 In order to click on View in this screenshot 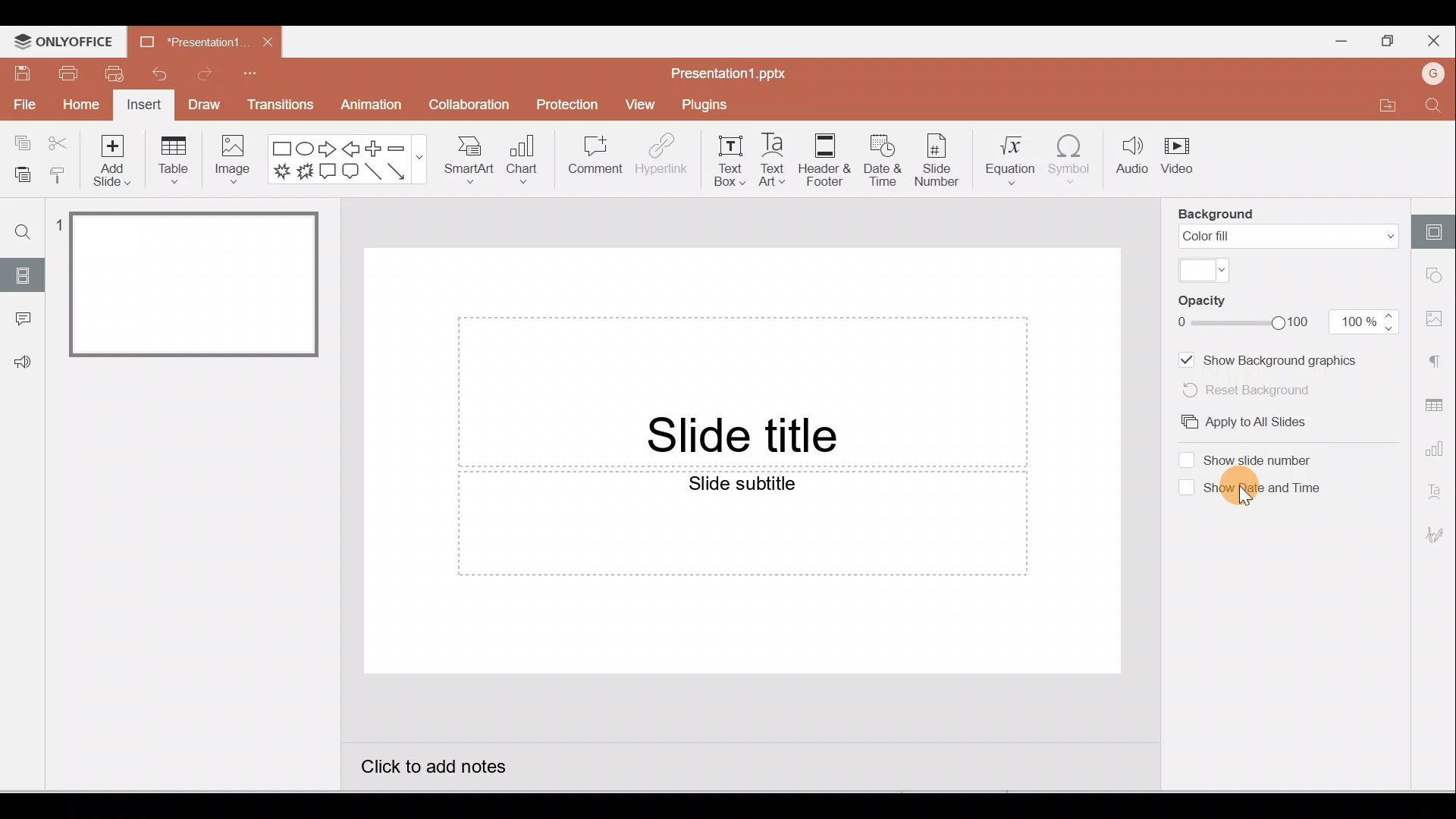, I will do `click(640, 105)`.